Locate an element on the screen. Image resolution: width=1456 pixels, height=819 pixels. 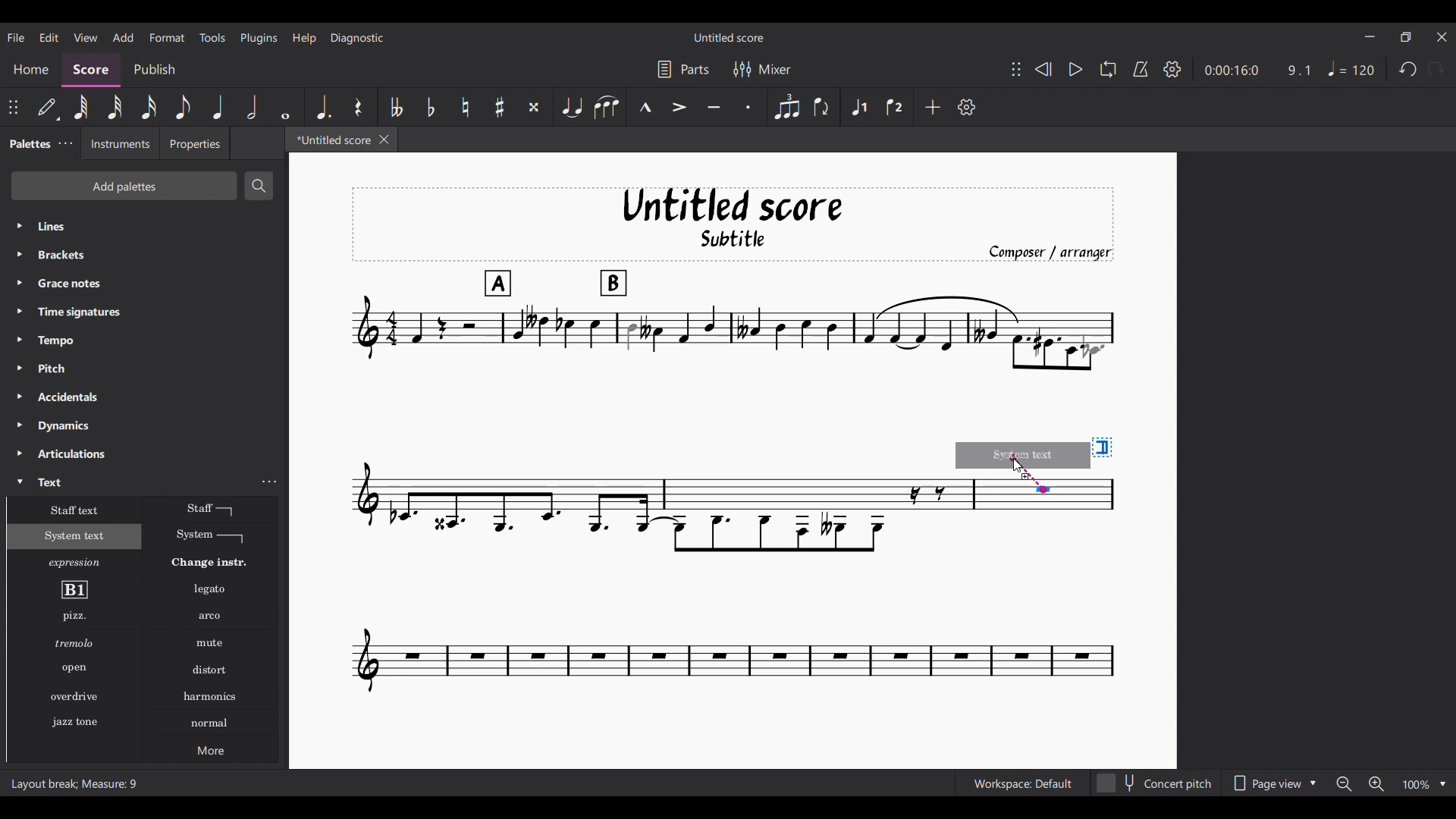
Settings is located at coordinates (1172, 69).